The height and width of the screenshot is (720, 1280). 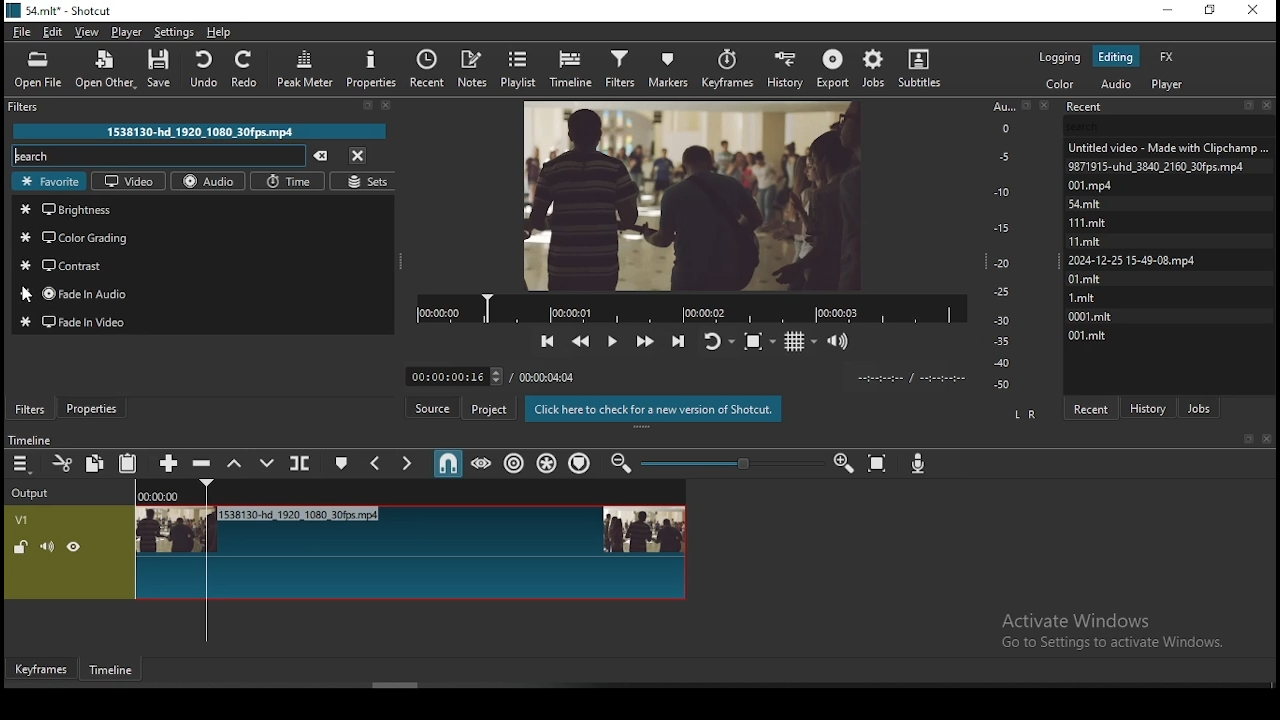 I want to click on recent, so click(x=430, y=68).